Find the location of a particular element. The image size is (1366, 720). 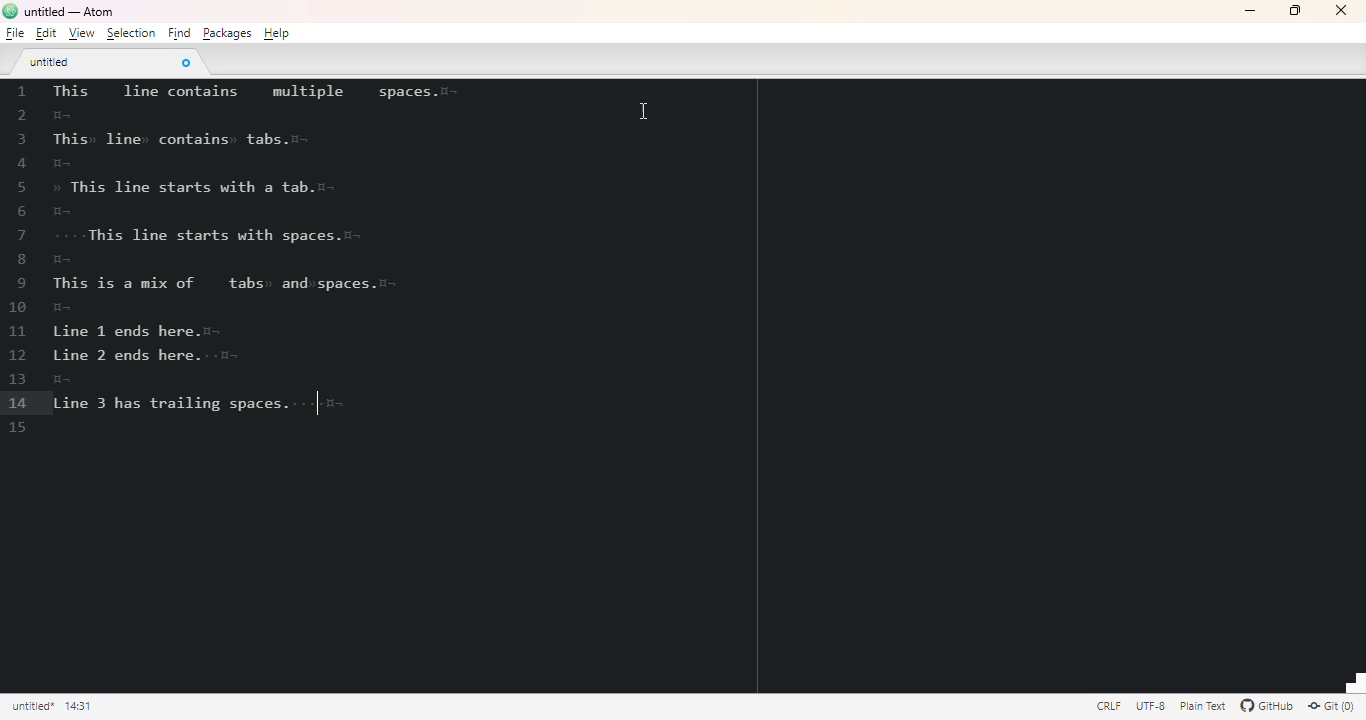

minimize is located at coordinates (1250, 11).